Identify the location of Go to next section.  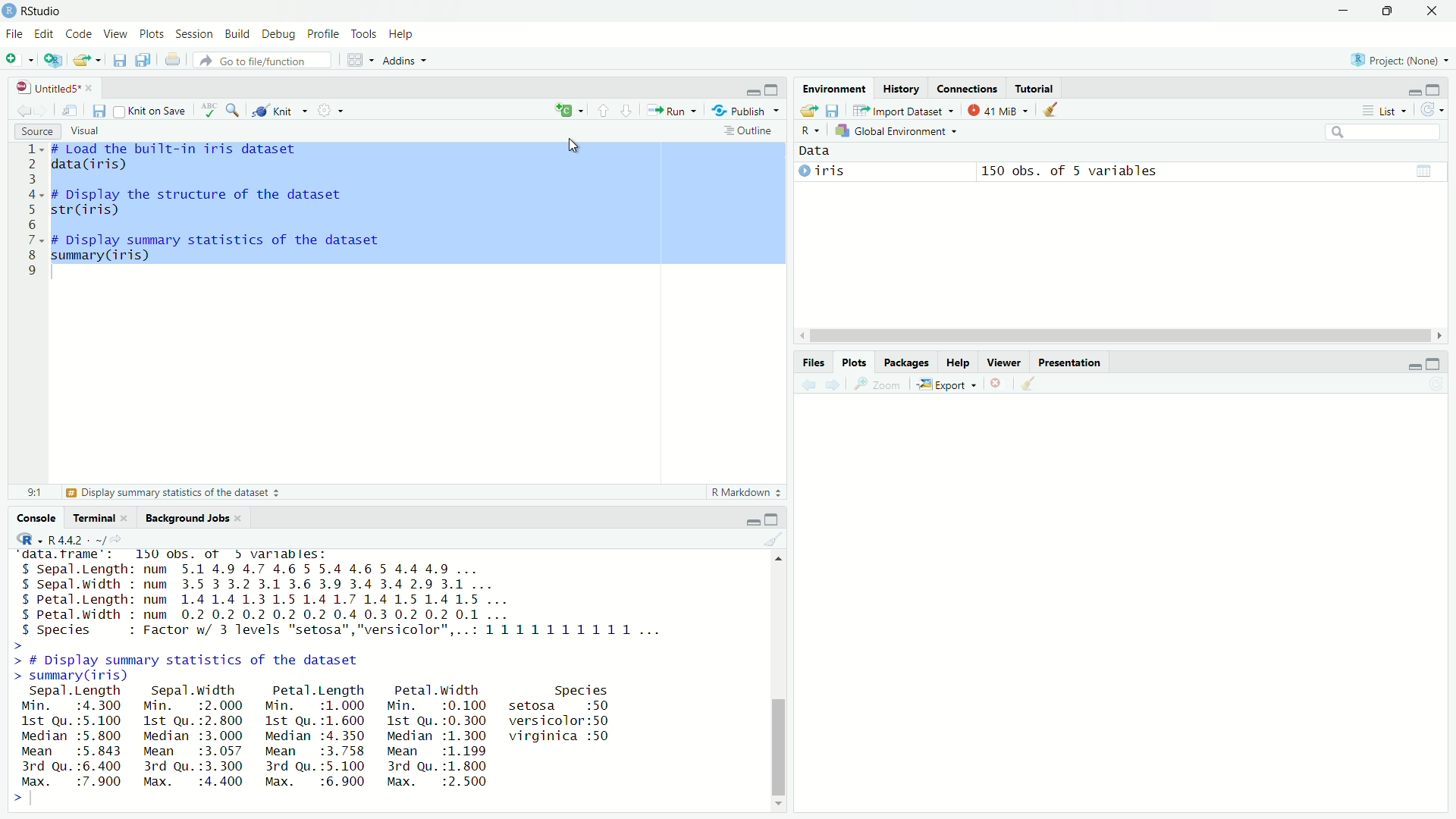
(628, 111).